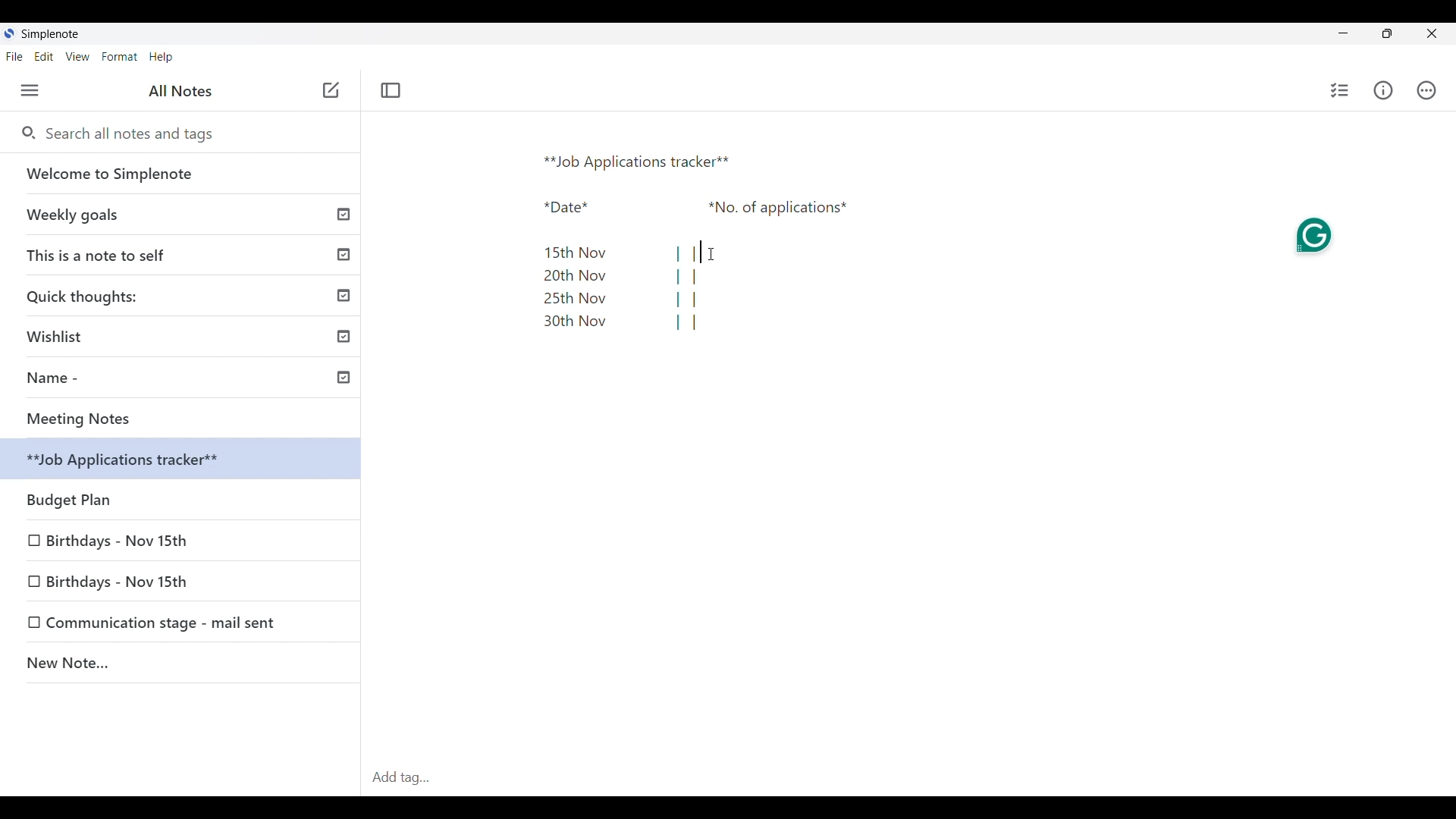  Describe the element at coordinates (182, 496) in the screenshot. I see ` Birthdays - Nov 15th` at that location.